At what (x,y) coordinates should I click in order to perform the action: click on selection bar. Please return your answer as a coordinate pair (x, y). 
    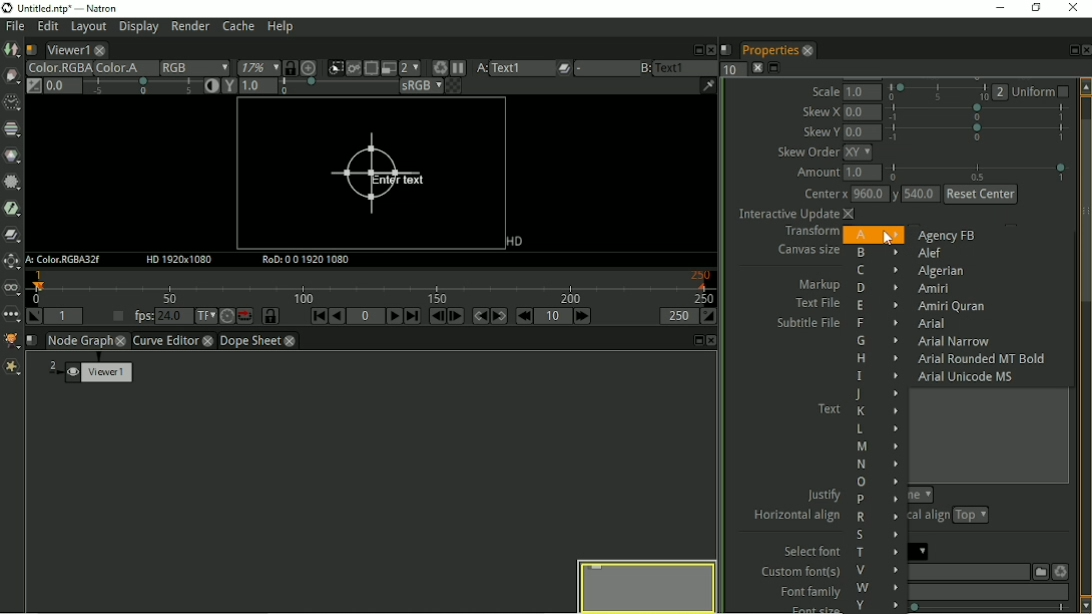
    Looking at the image, I should click on (142, 86).